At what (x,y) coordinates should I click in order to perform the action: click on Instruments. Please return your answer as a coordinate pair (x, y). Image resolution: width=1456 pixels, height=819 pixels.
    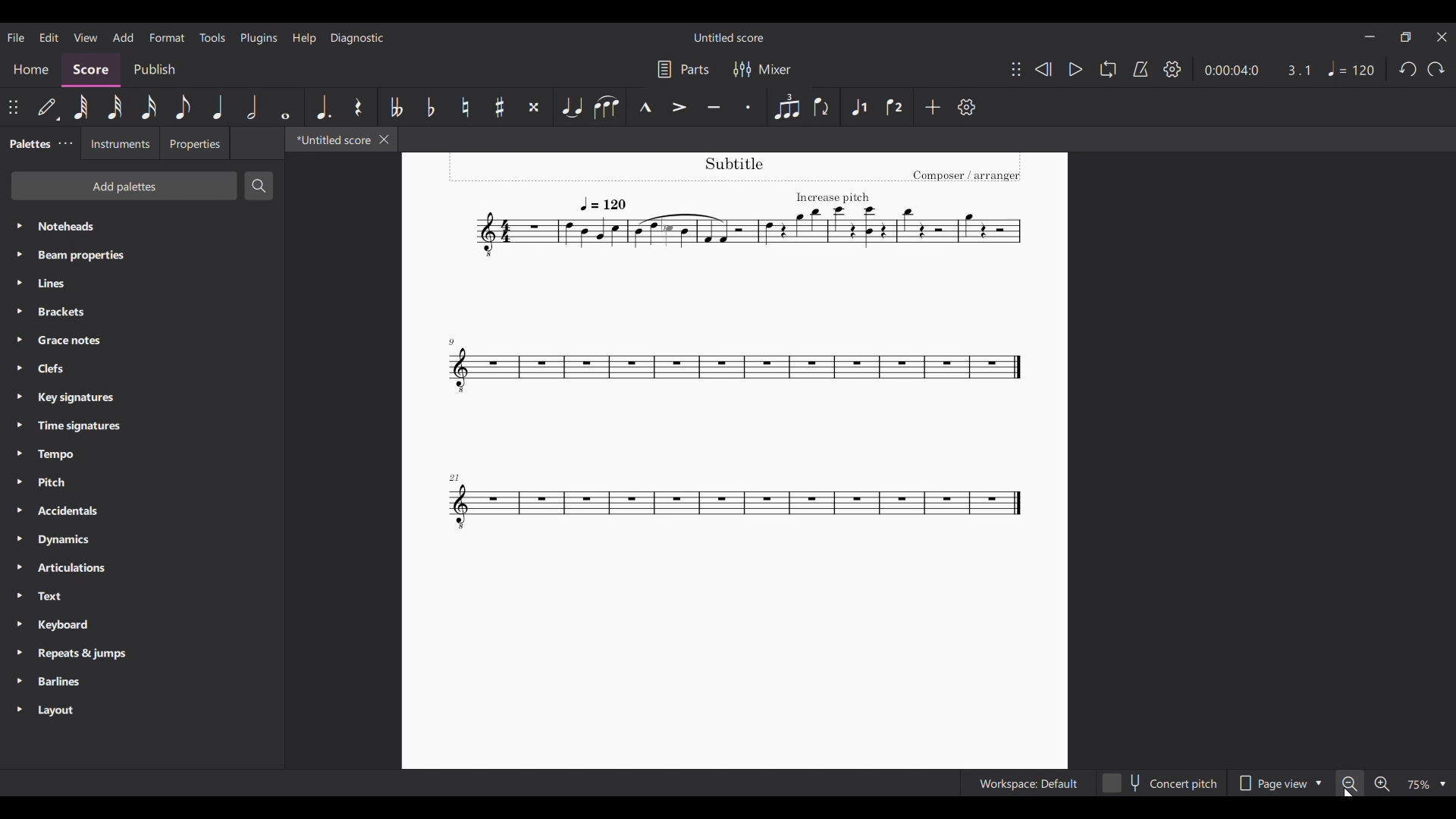
    Looking at the image, I should click on (121, 143).